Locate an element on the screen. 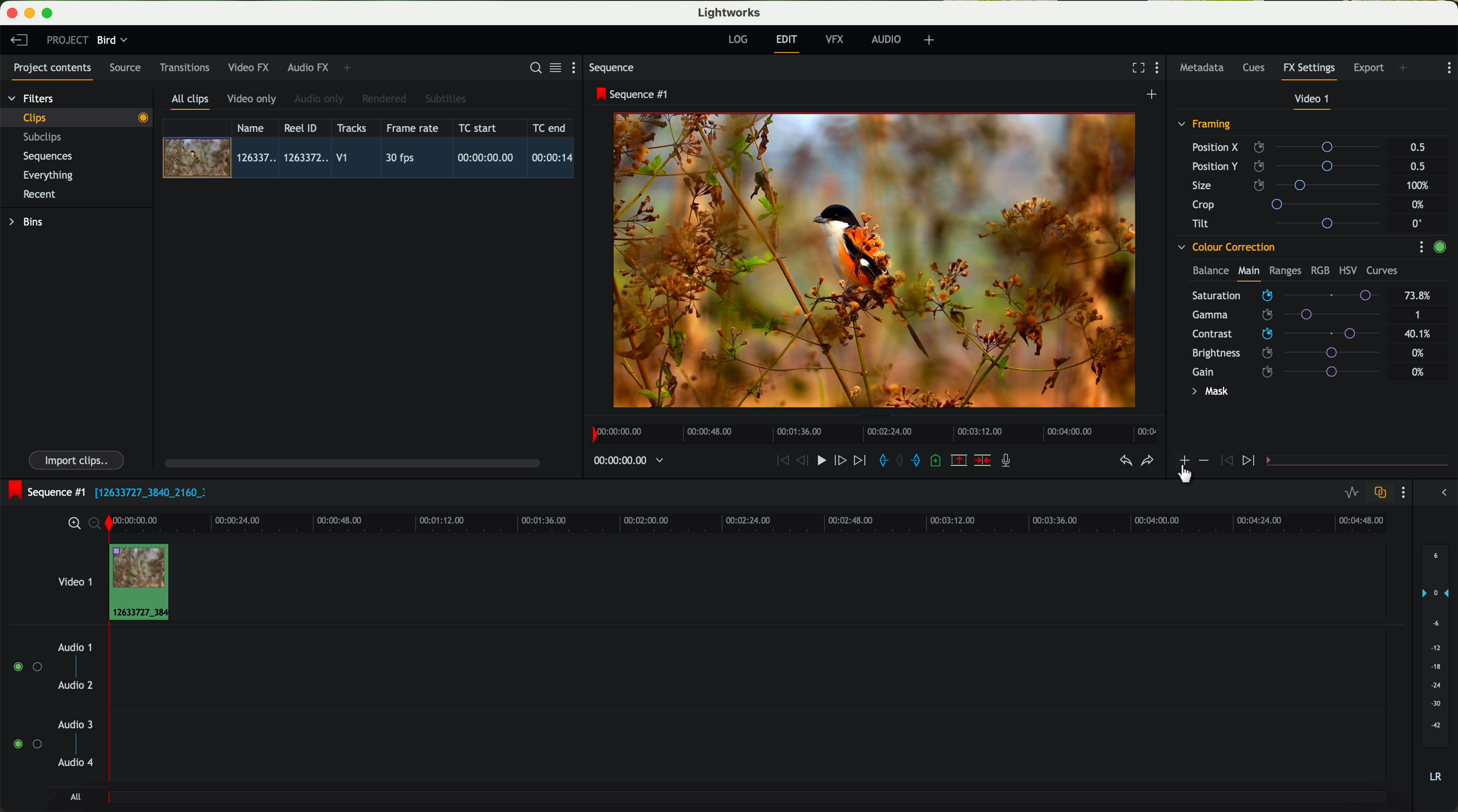  0% is located at coordinates (1418, 351).